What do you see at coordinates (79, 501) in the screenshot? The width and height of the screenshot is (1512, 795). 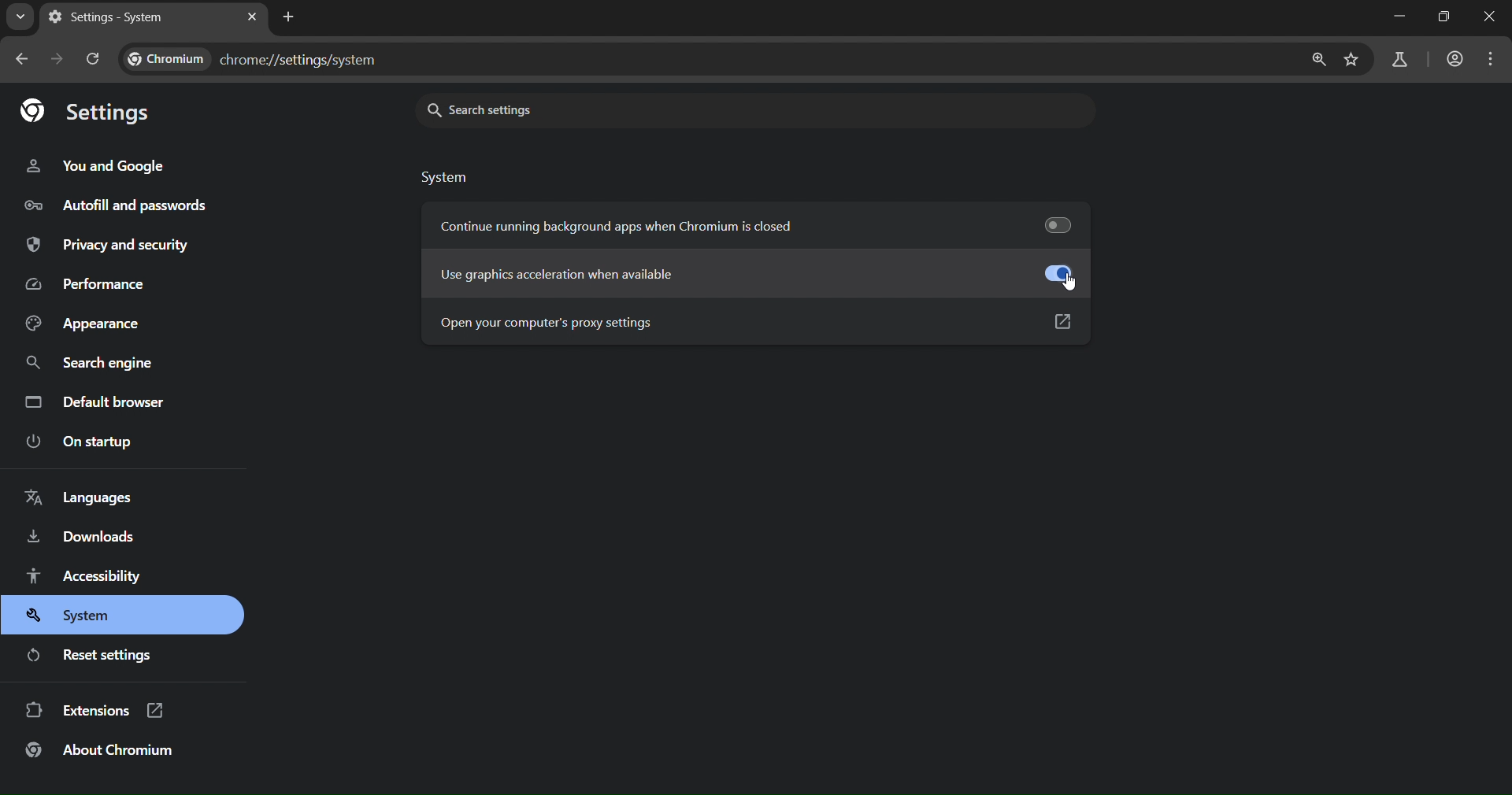 I see `languages` at bounding box center [79, 501].